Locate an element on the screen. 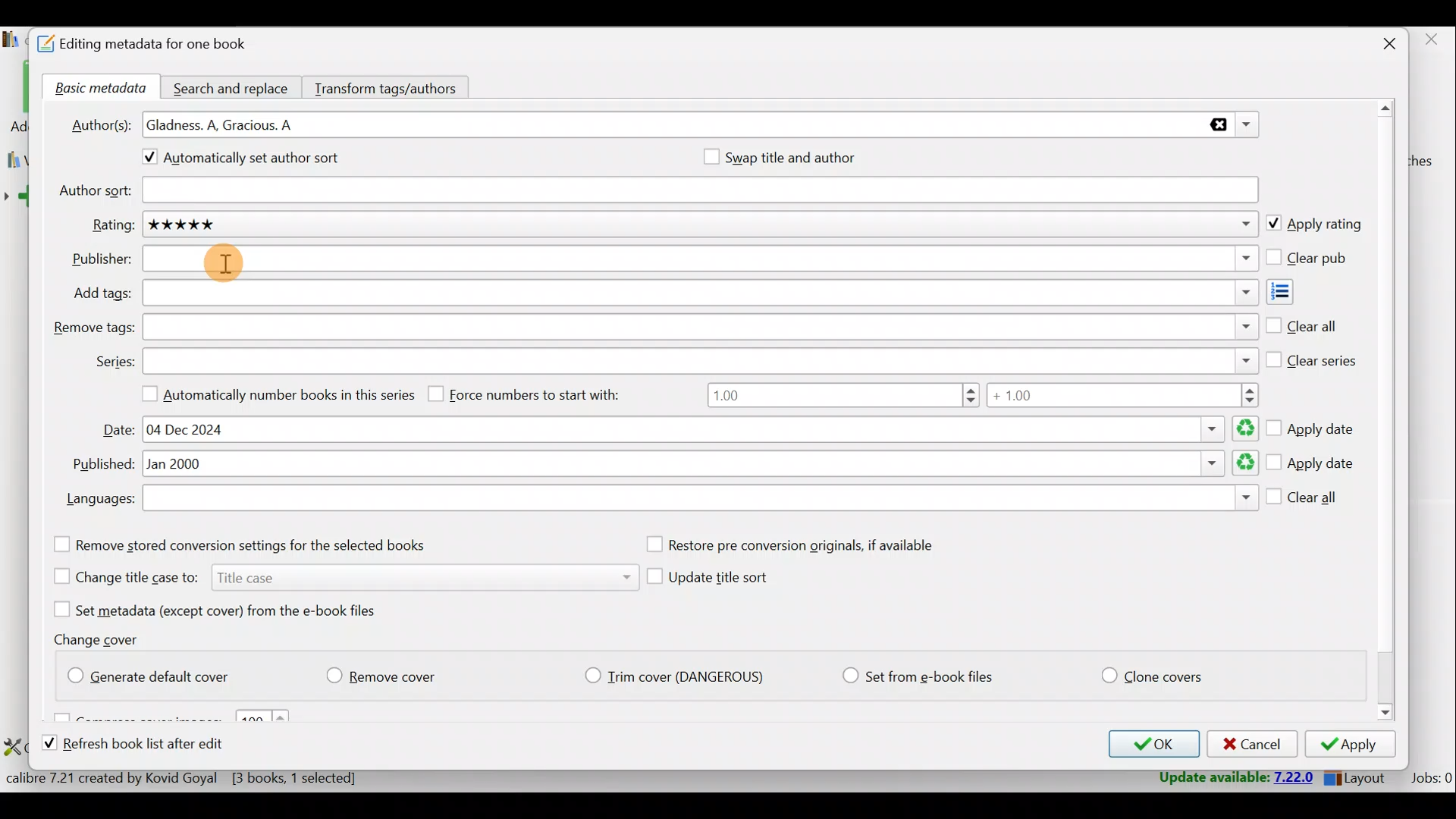 The image size is (1456, 819). Swap title and author is located at coordinates (808, 157).